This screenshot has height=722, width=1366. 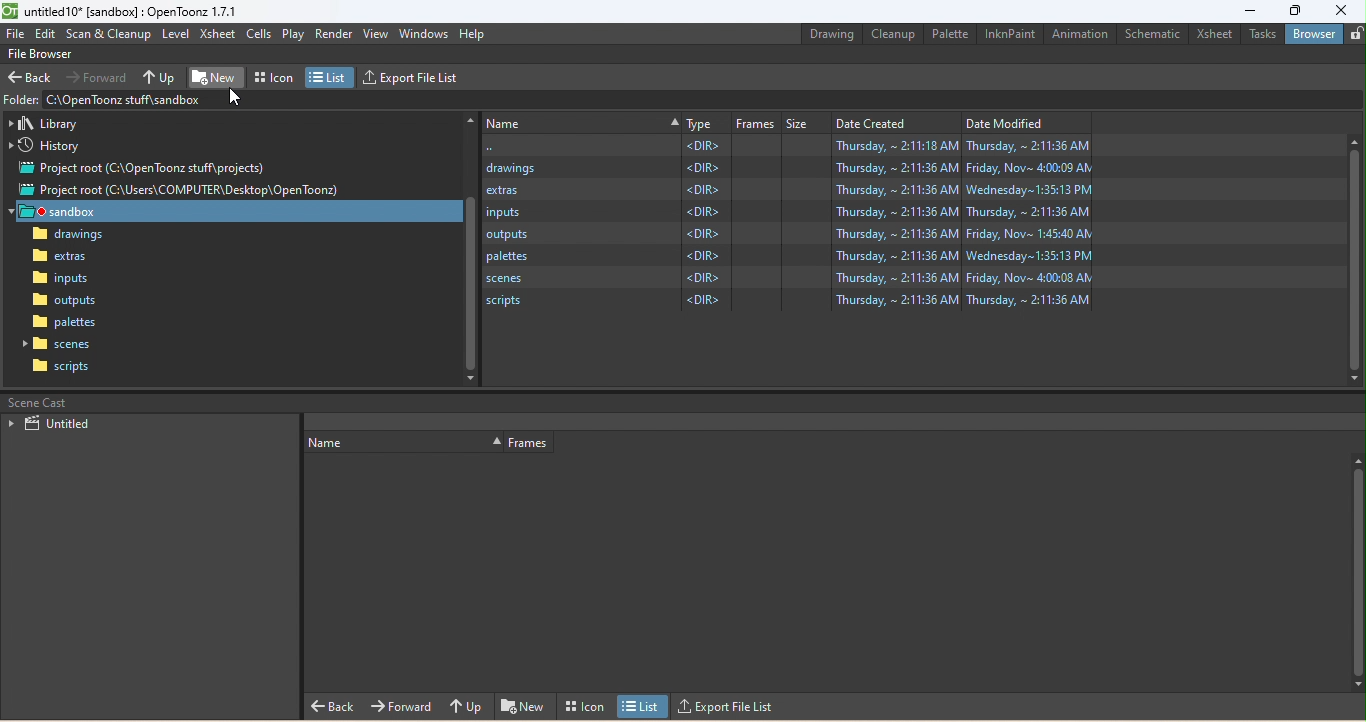 I want to click on New folder, so click(x=216, y=76).